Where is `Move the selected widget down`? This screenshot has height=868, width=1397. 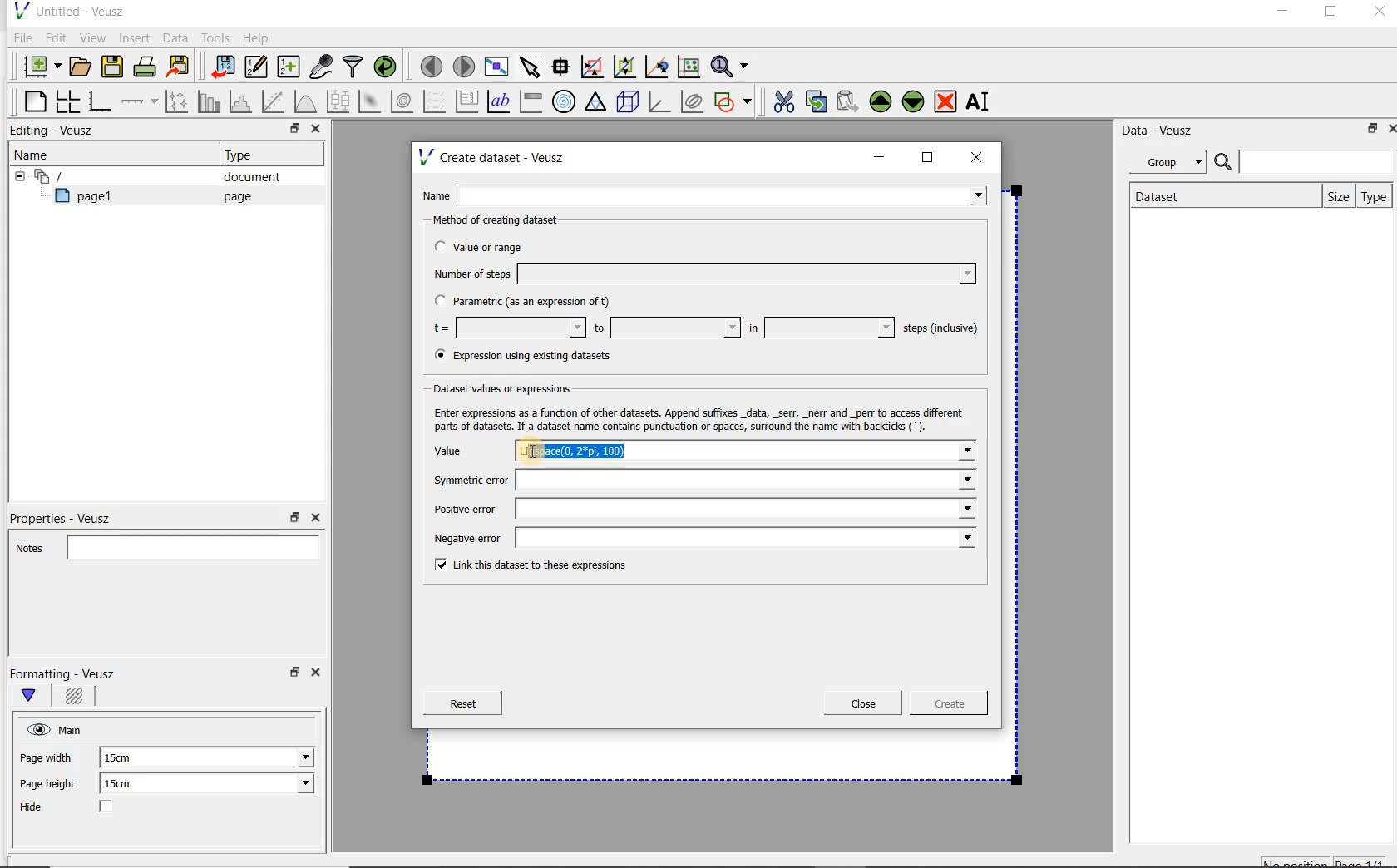 Move the selected widget down is located at coordinates (914, 101).